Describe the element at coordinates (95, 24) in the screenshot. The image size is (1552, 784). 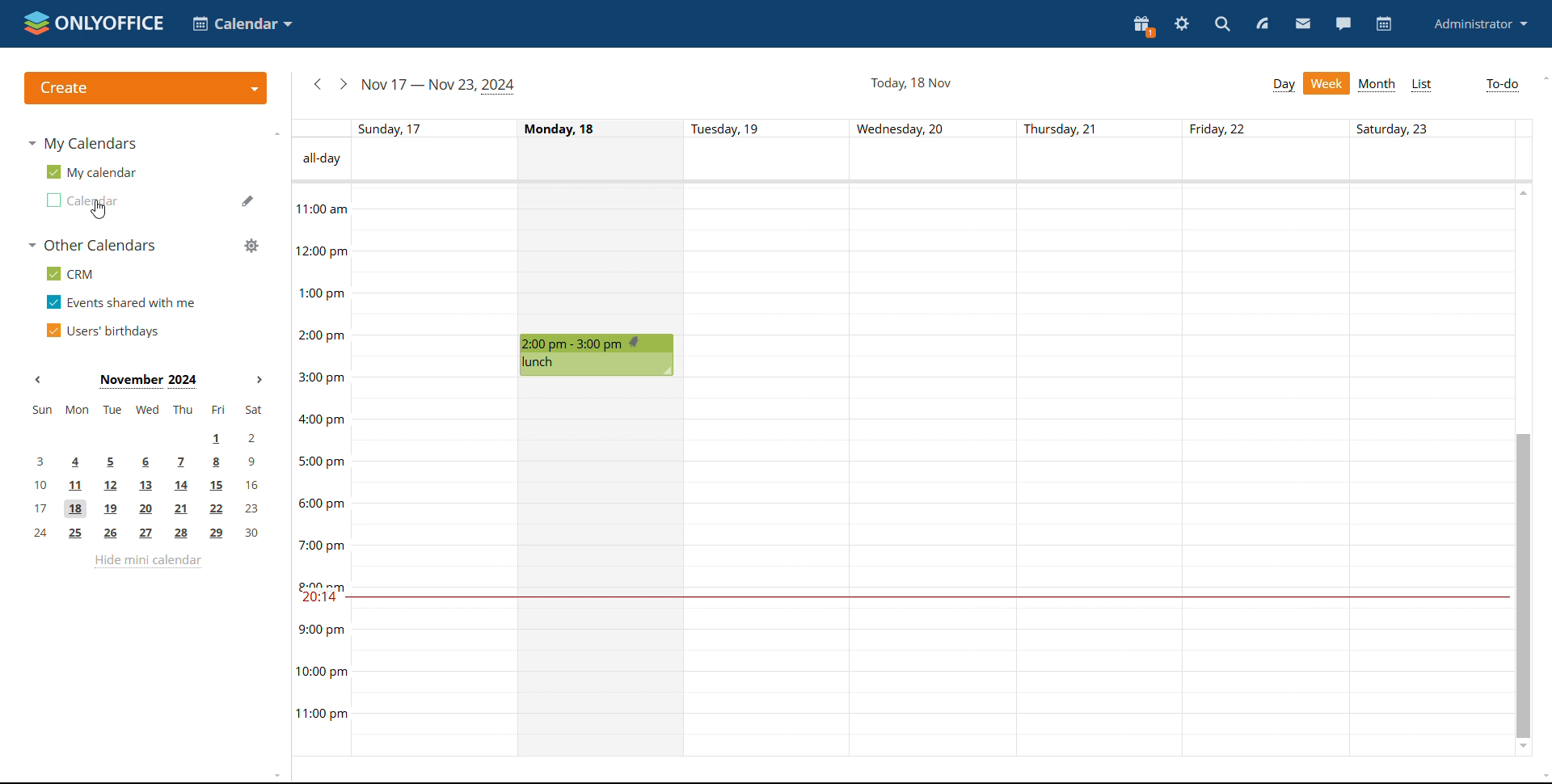
I see `logo` at that location.